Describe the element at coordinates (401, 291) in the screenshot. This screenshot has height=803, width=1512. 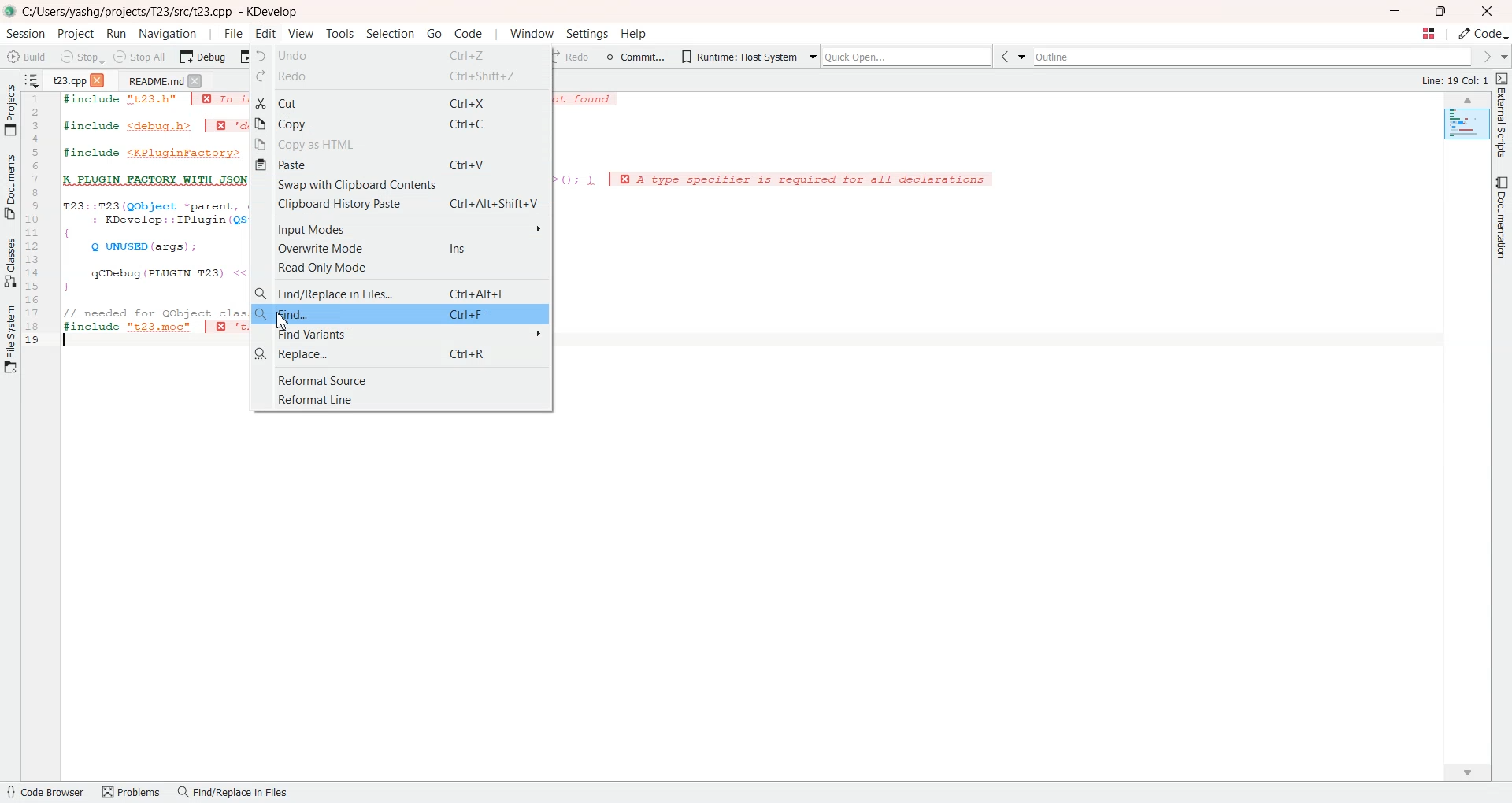
I see `Find/Replace in files` at that location.